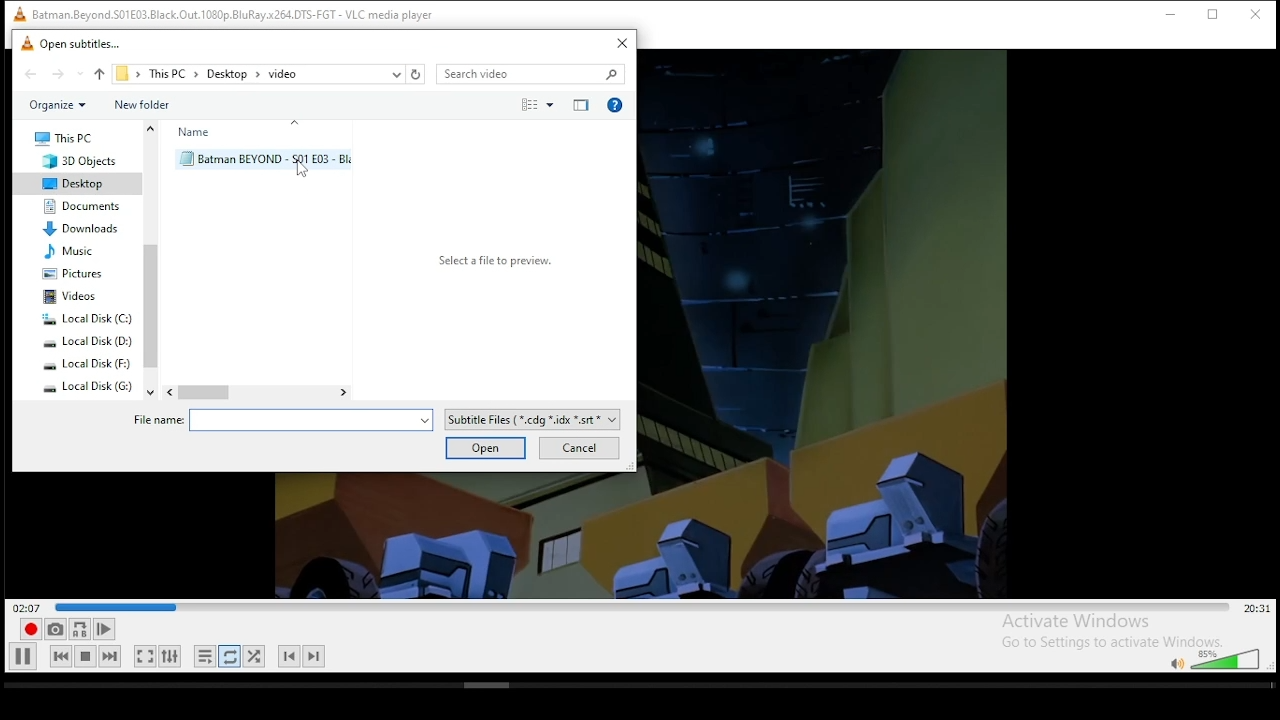 The height and width of the screenshot is (720, 1280). I want to click on documents, so click(83, 207).